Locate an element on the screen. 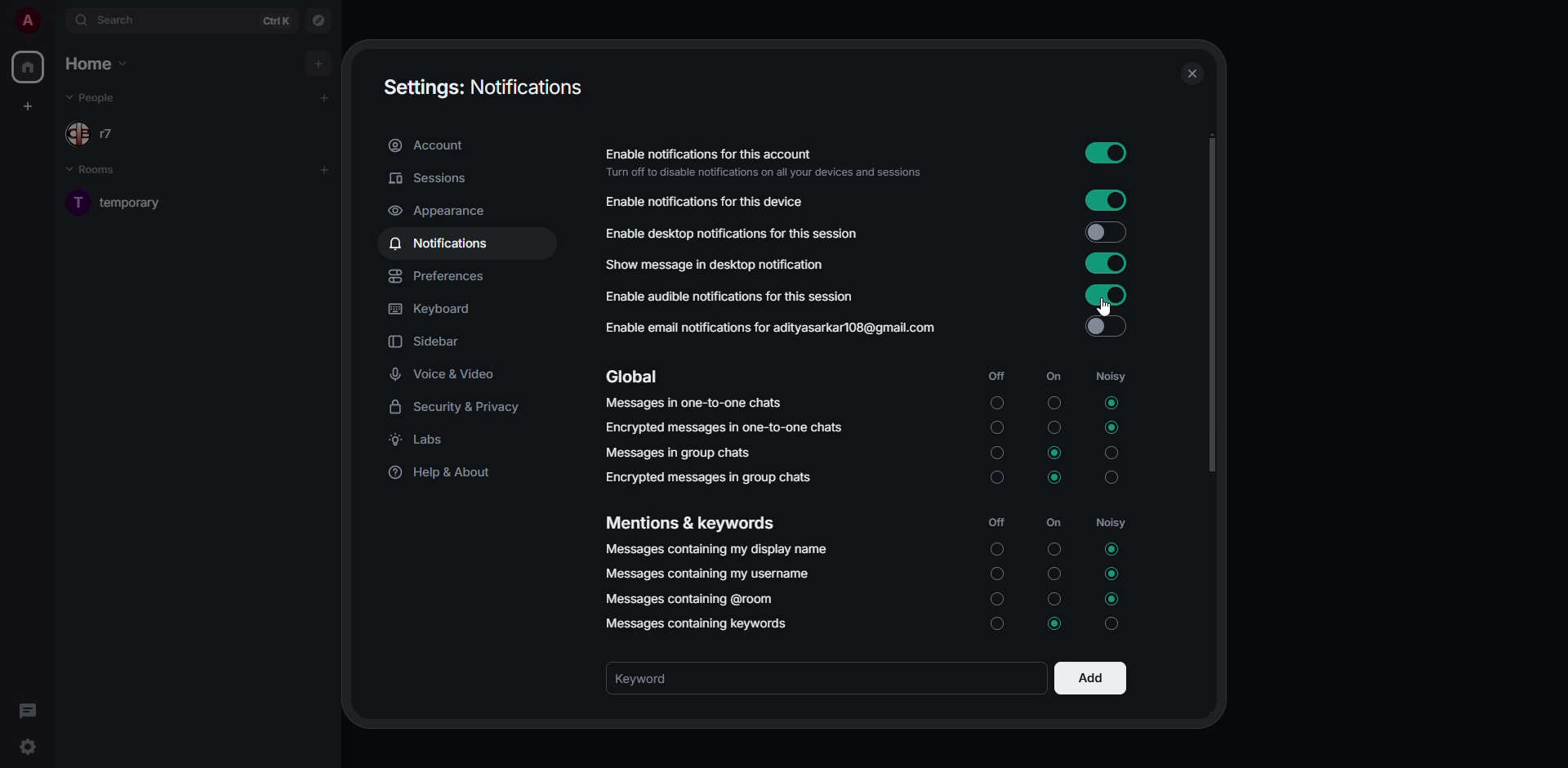 This screenshot has width=1568, height=768. selected is located at coordinates (1112, 550).